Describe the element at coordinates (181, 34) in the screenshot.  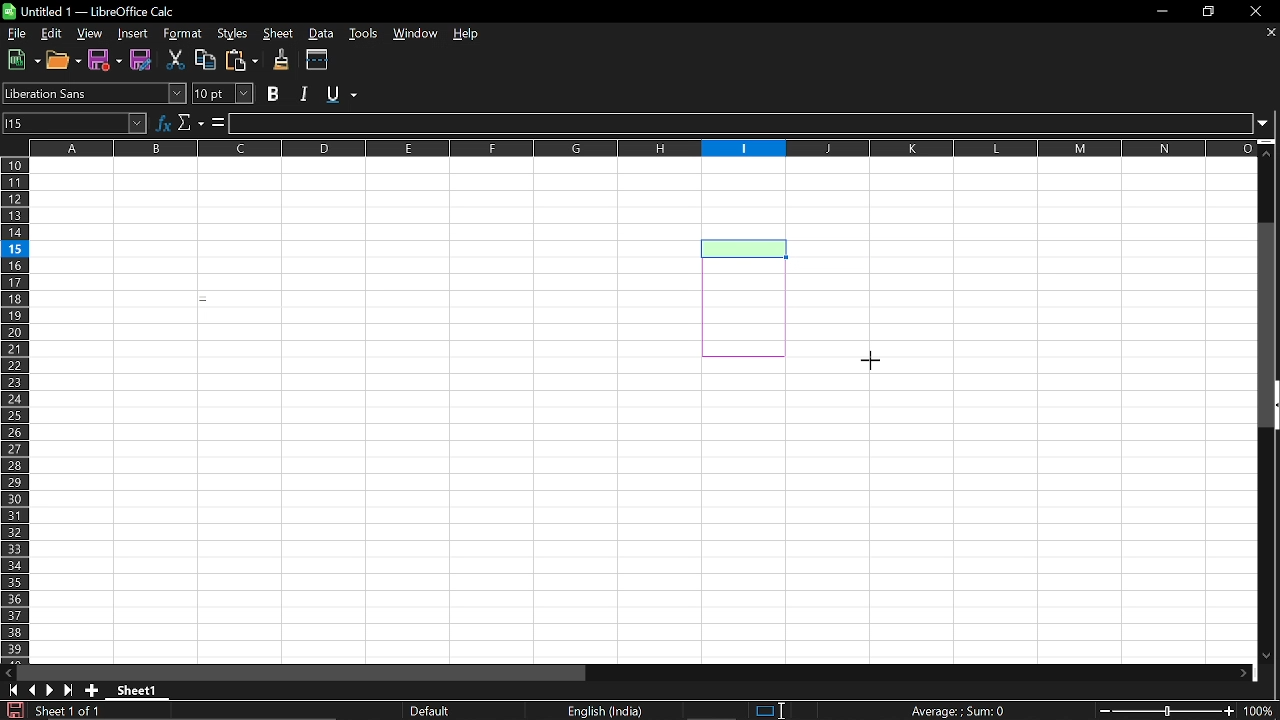
I see `Format` at that location.